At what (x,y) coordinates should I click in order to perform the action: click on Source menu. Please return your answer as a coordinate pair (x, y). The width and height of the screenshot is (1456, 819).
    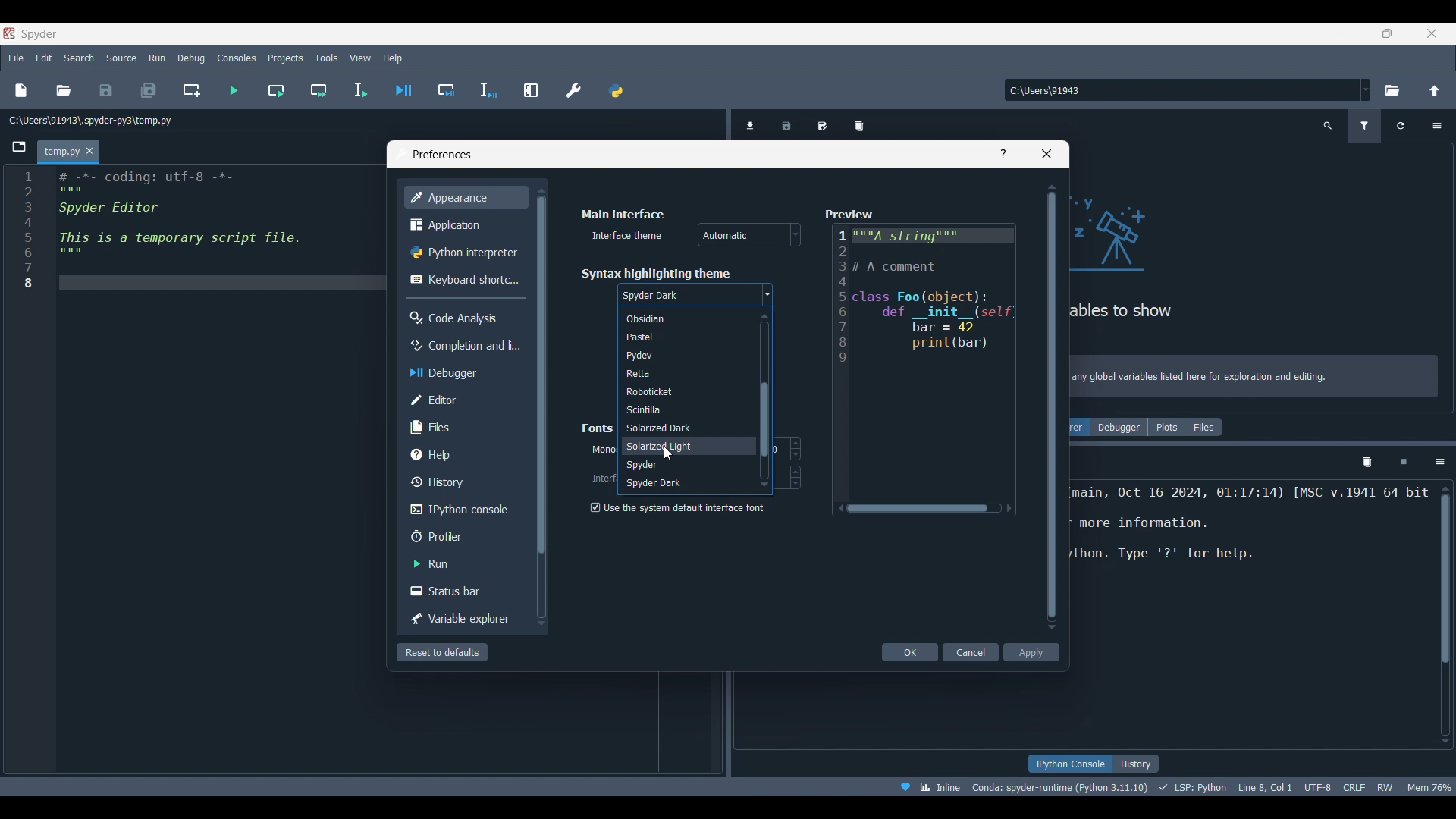
    Looking at the image, I should click on (122, 58).